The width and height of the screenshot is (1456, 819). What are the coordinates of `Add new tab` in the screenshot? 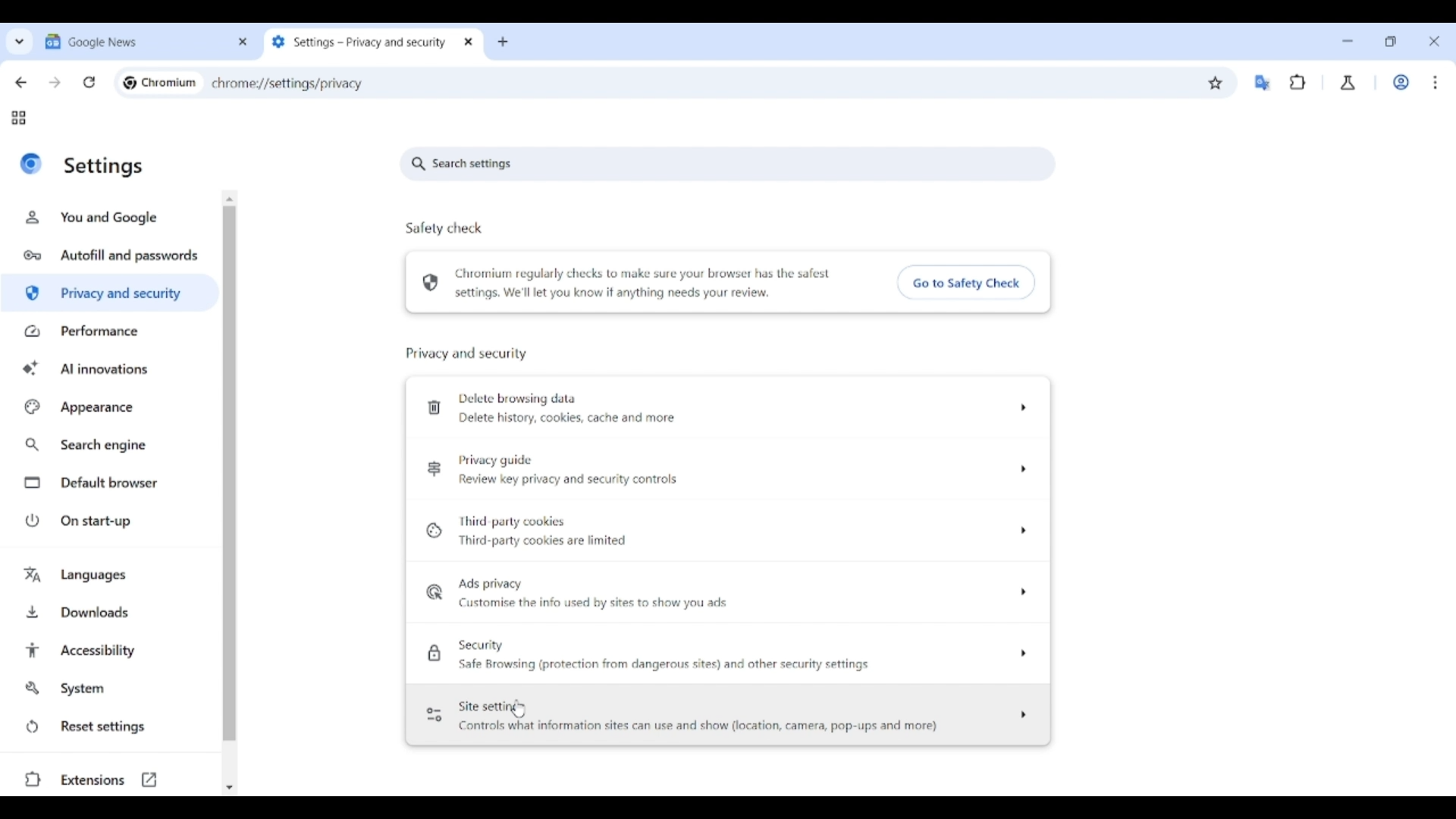 It's located at (503, 42).